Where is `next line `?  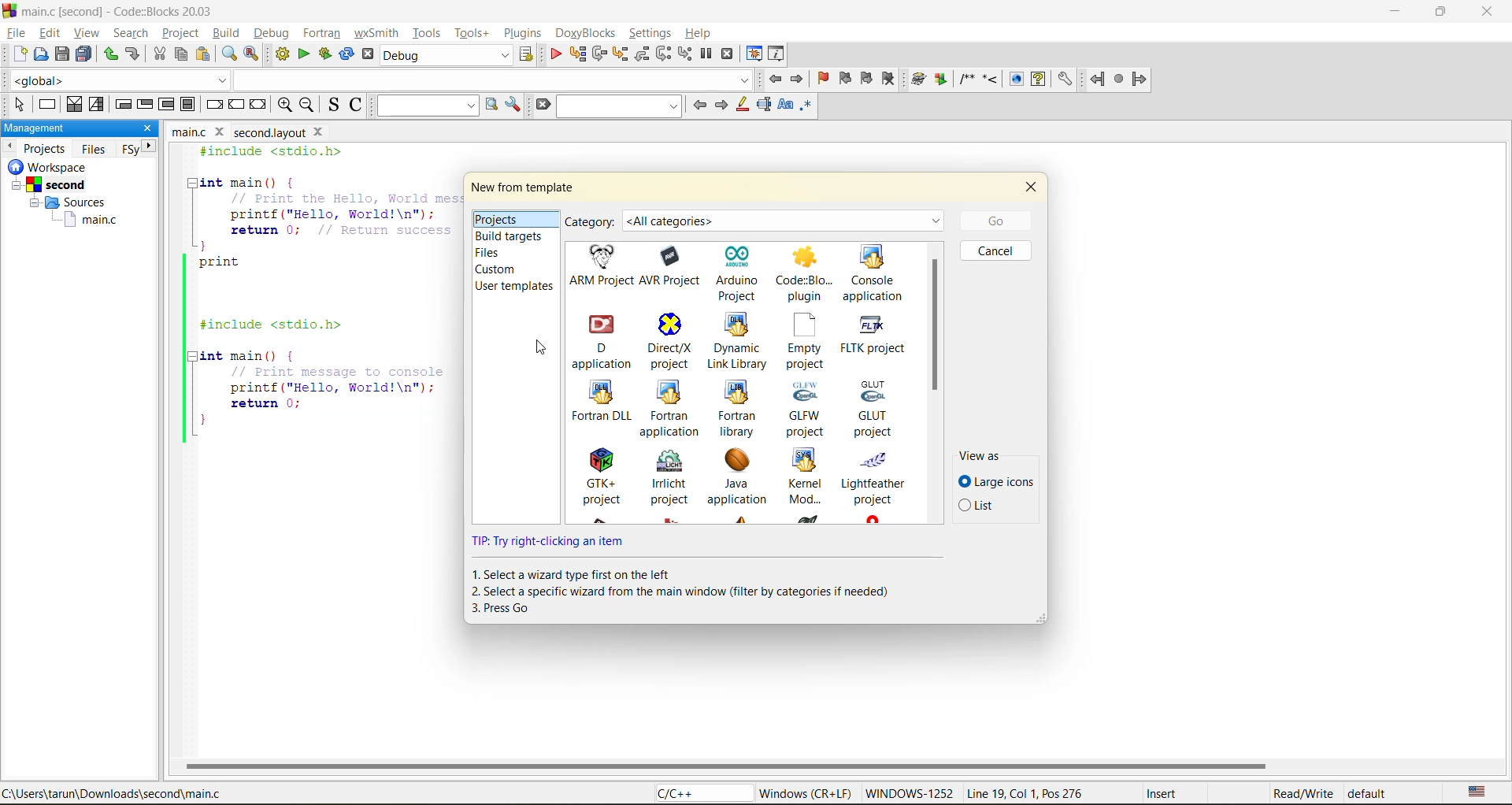 next line  is located at coordinates (601, 56).